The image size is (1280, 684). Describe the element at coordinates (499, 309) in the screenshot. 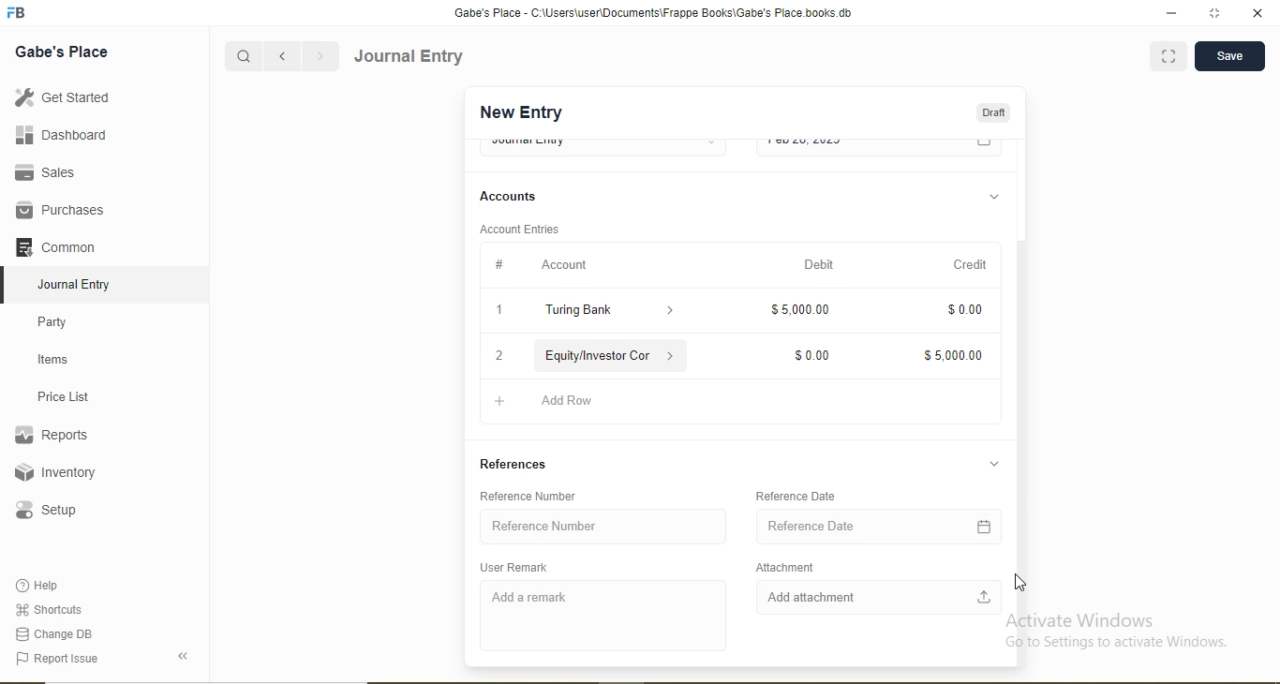

I see `1` at that location.